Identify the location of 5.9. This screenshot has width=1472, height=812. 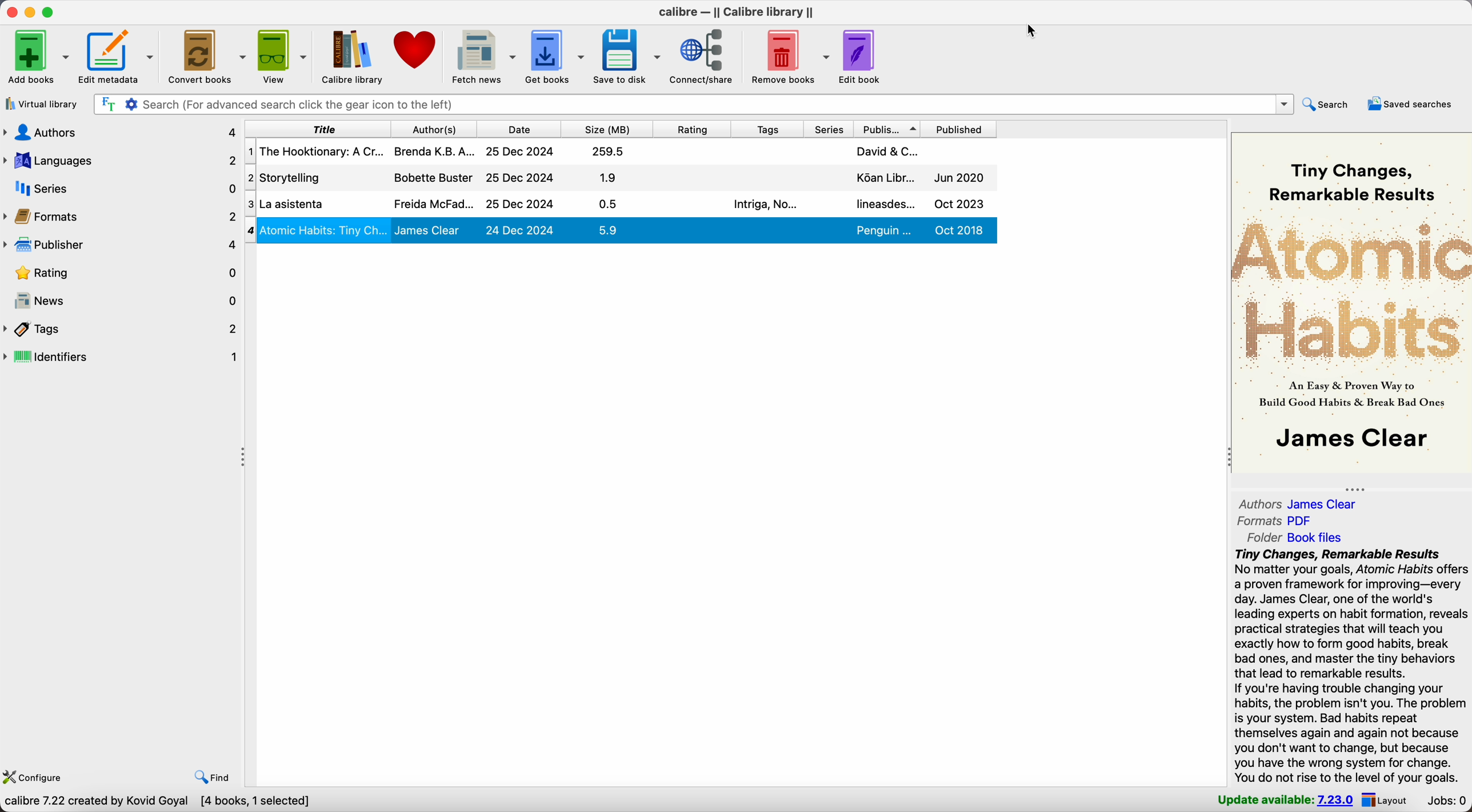
(609, 231).